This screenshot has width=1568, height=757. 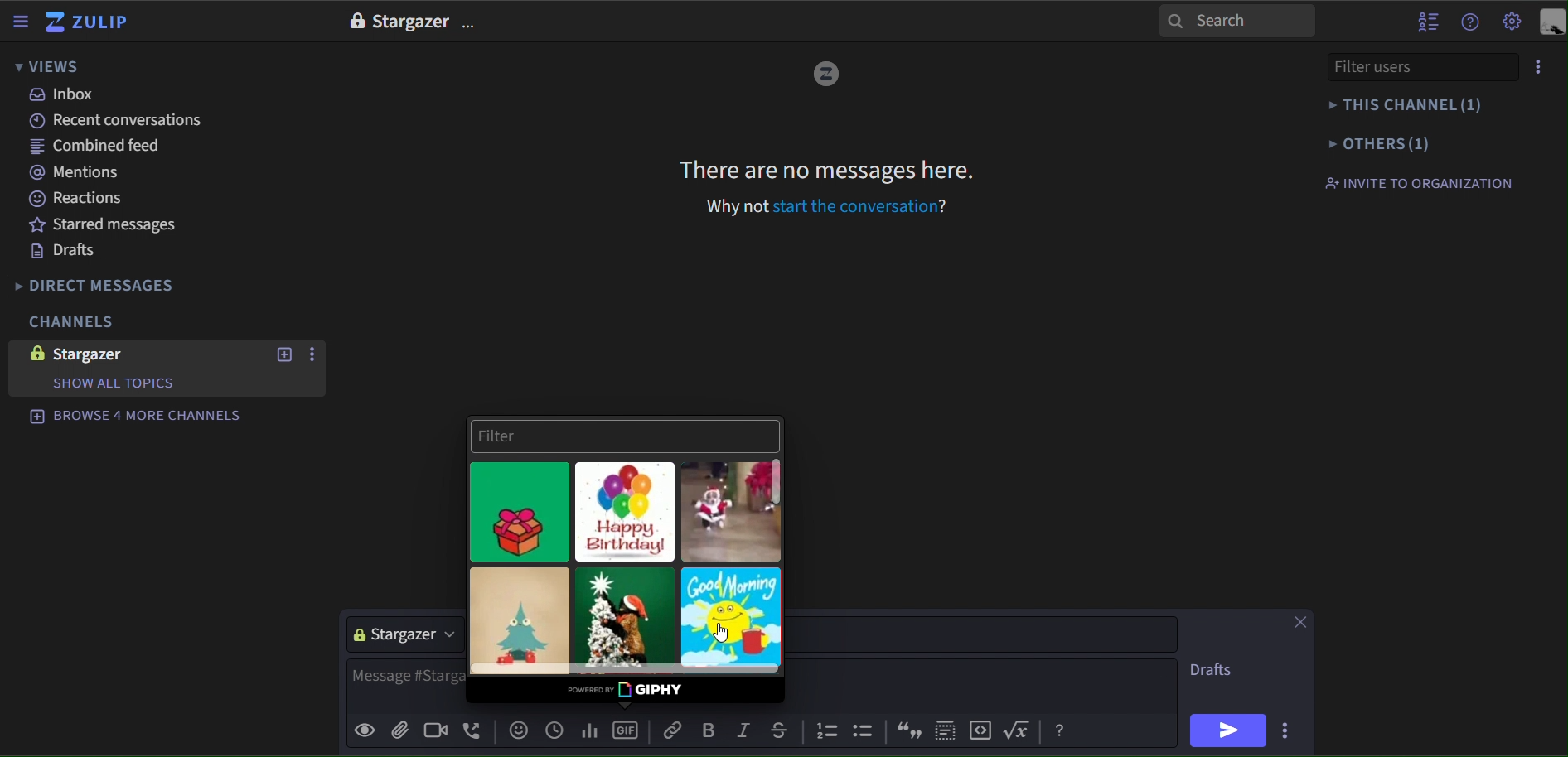 What do you see at coordinates (64, 94) in the screenshot?
I see `inbox` at bounding box center [64, 94].